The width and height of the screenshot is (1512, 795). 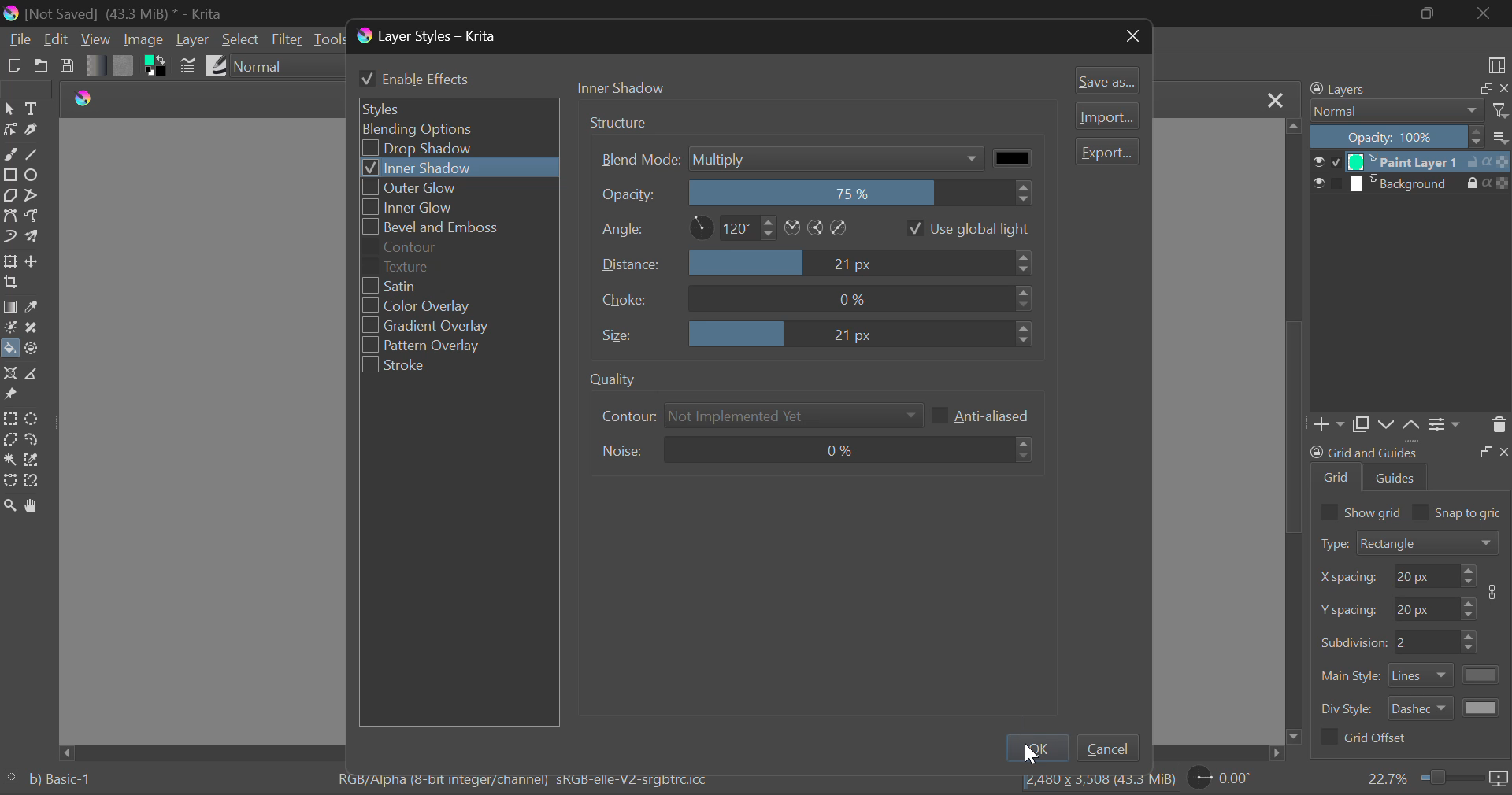 What do you see at coordinates (32, 152) in the screenshot?
I see `Line` at bounding box center [32, 152].